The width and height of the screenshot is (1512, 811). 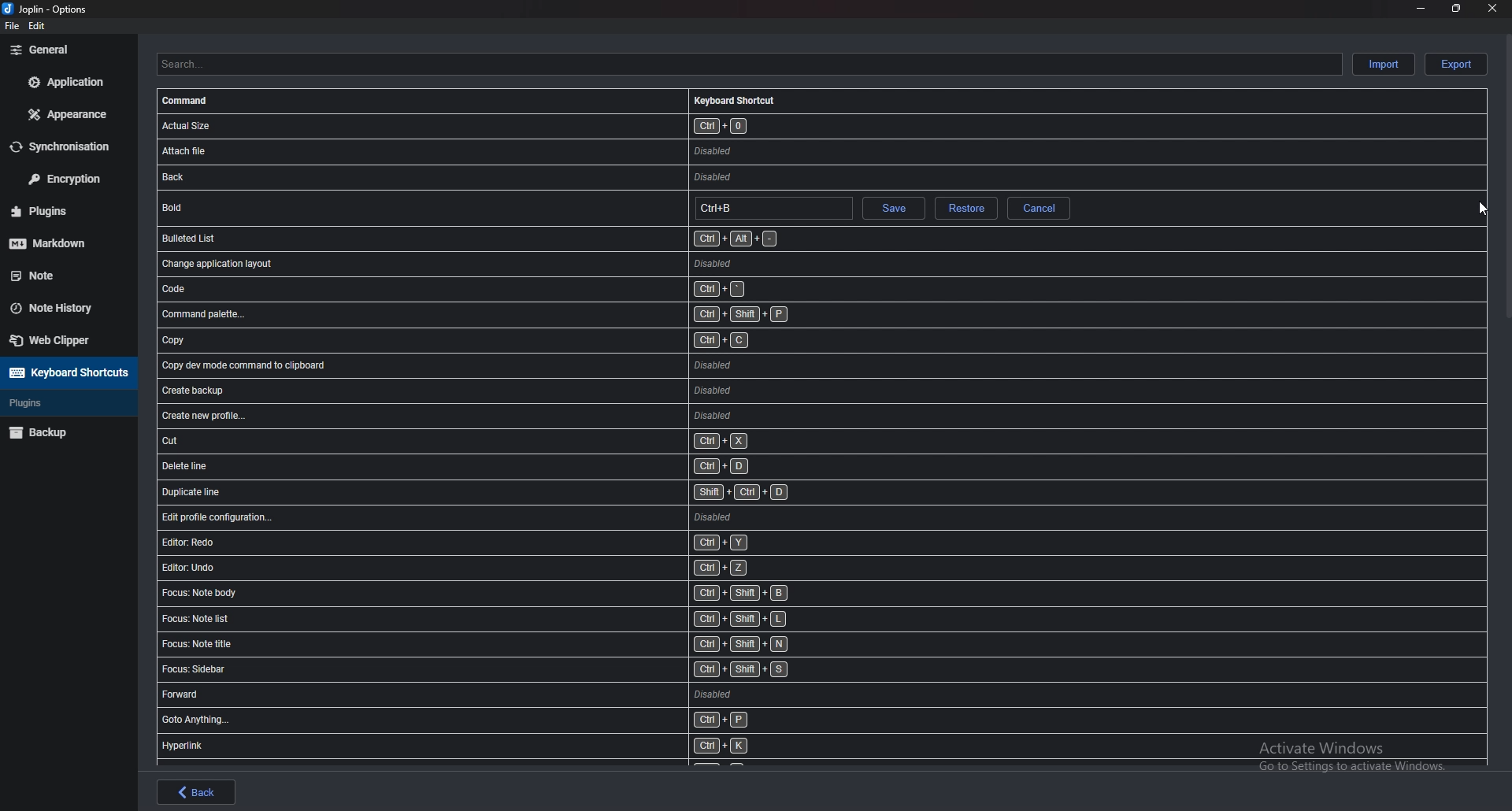 I want to click on Backup, so click(x=65, y=431).